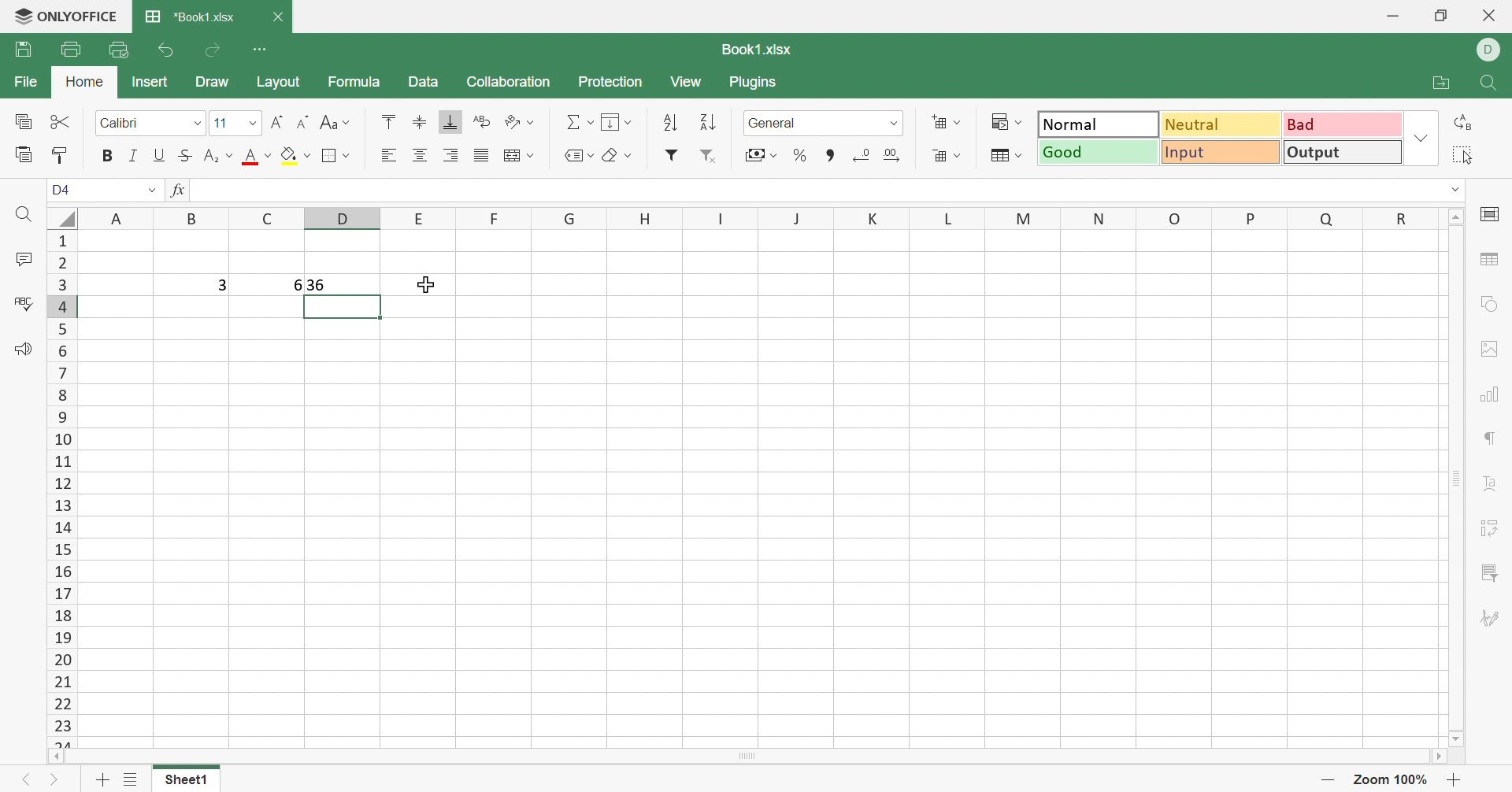  What do you see at coordinates (1492, 620) in the screenshot?
I see `Signature settings` at bounding box center [1492, 620].